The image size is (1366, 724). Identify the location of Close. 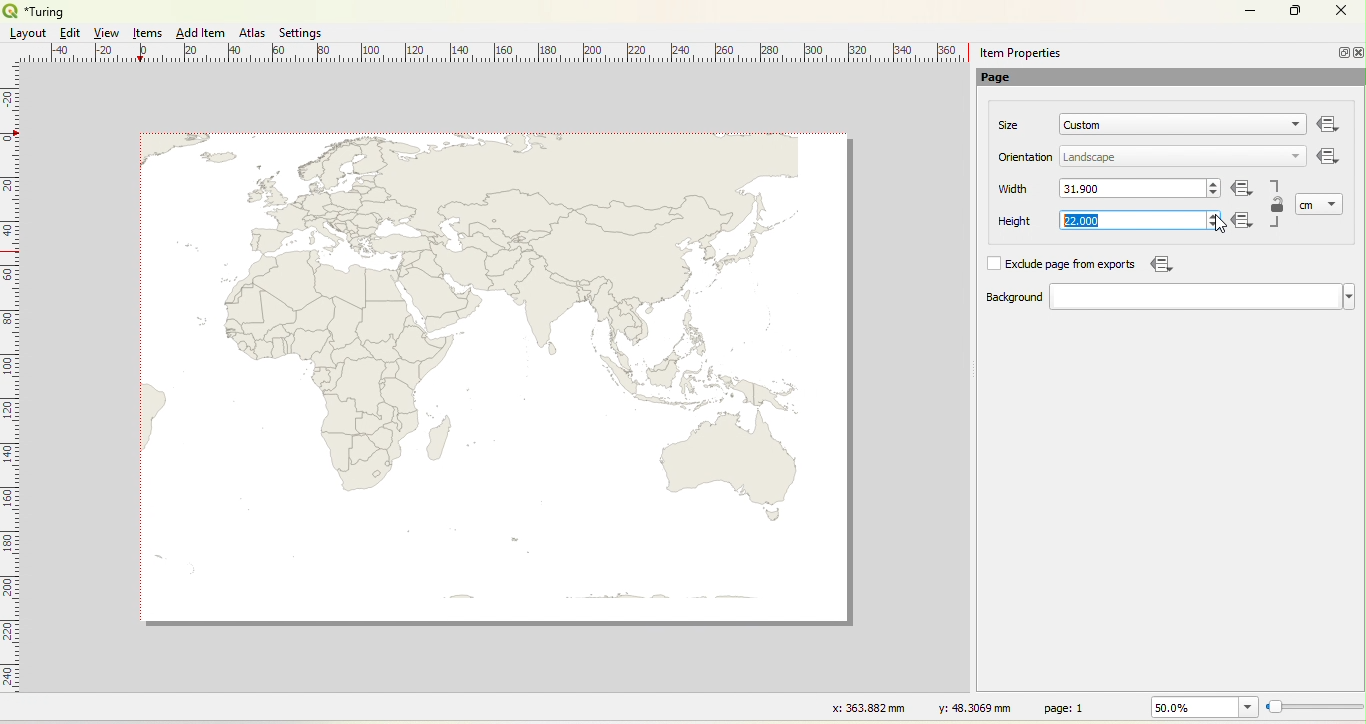
(1340, 13).